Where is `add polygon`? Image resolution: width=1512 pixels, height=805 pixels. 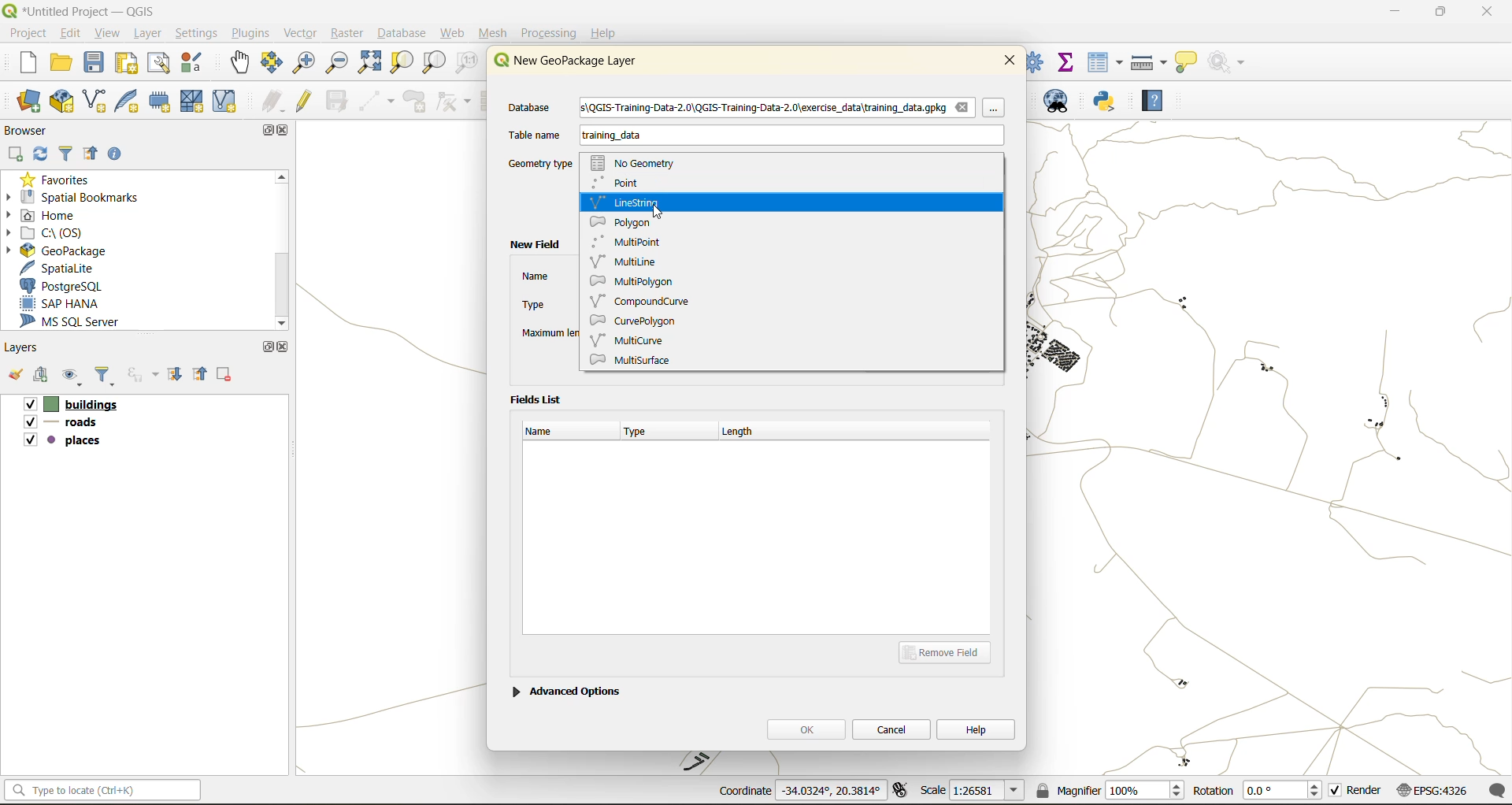 add polygon is located at coordinates (417, 106).